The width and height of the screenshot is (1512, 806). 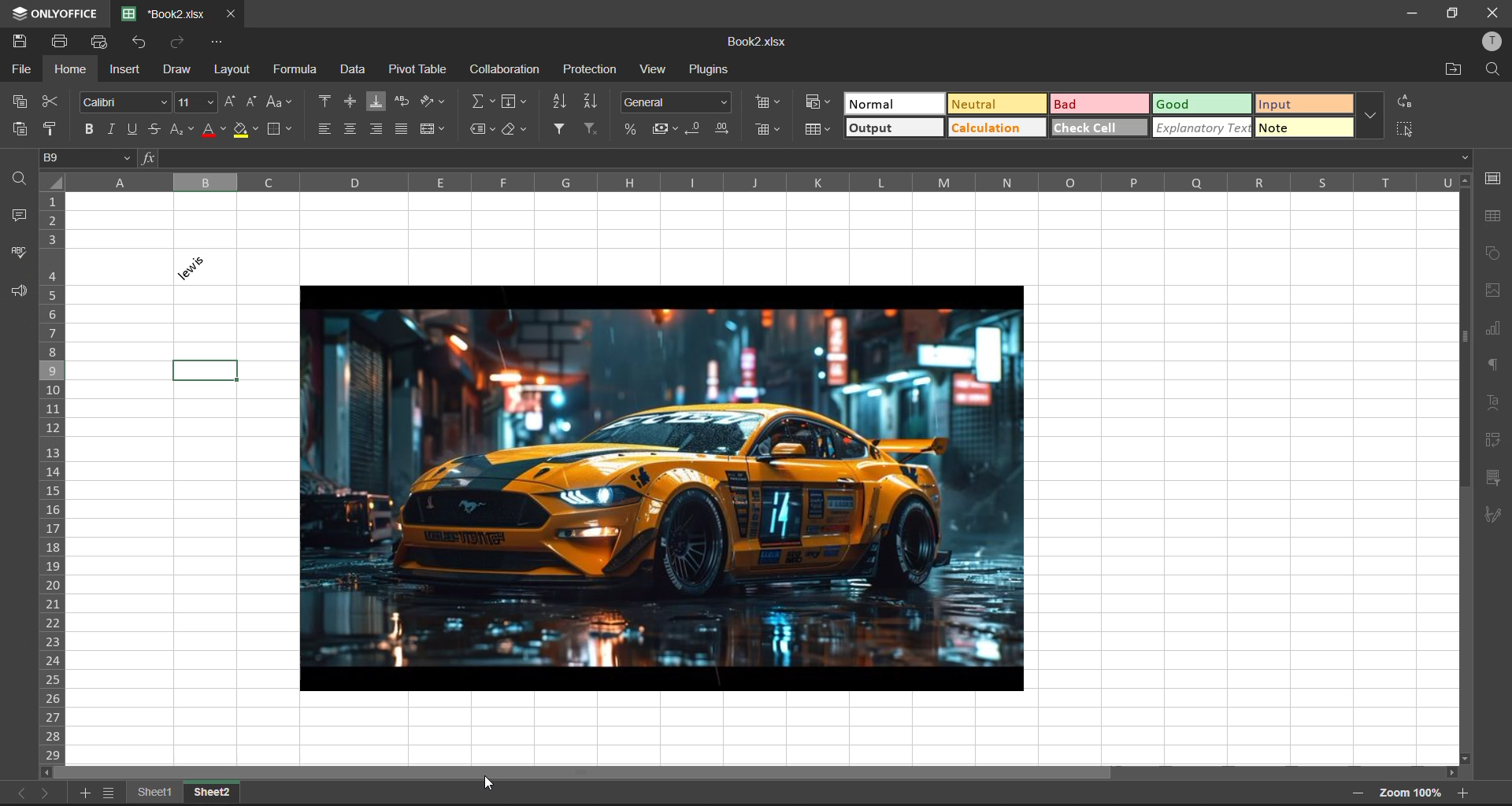 I want to click on table, so click(x=1495, y=219).